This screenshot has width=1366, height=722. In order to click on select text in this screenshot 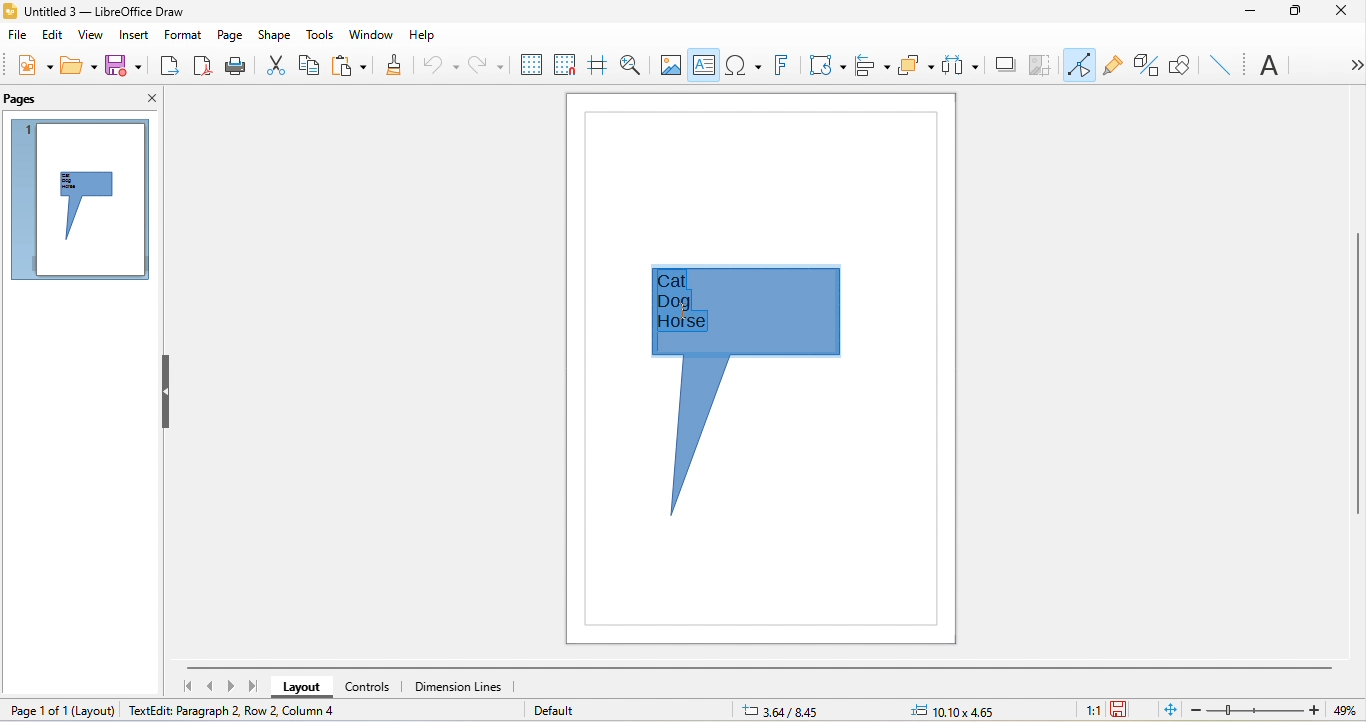, I will do `click(682, 299)`.